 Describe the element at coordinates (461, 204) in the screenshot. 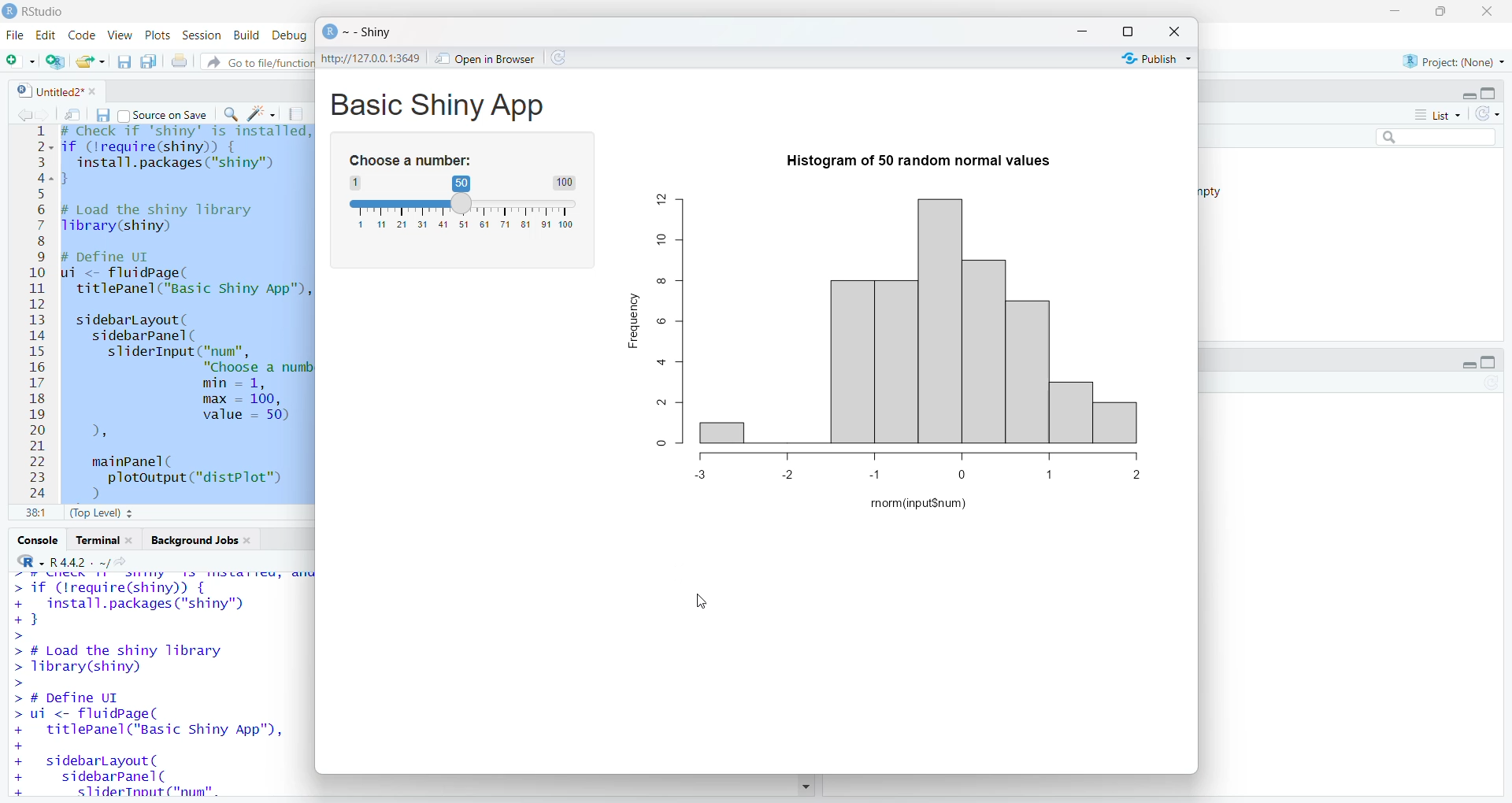

I see `value selector` at that location.